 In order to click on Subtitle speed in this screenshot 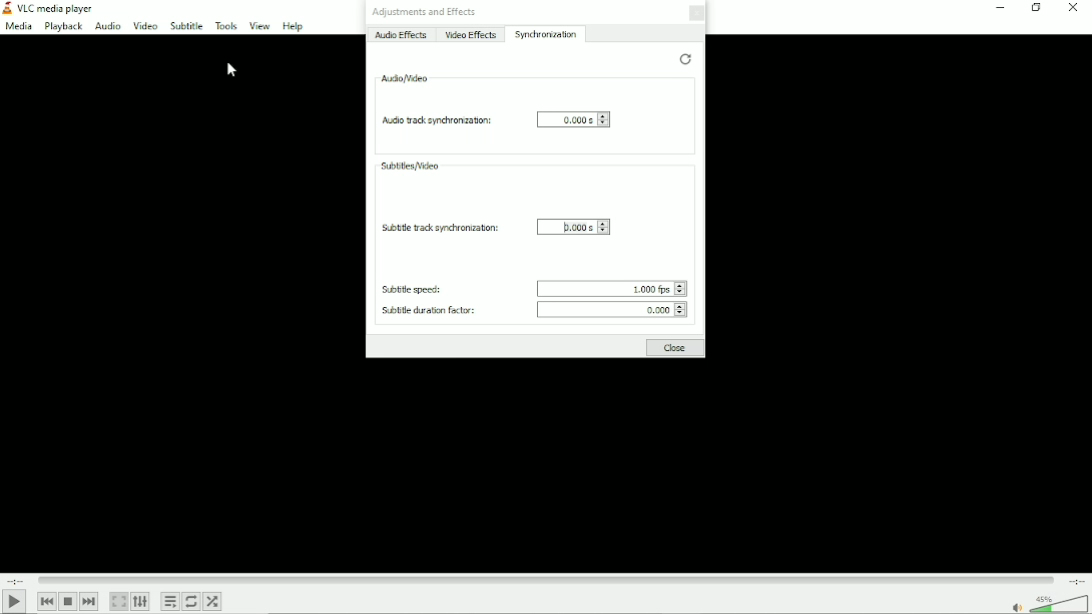, I will do `click(413, 289)`.